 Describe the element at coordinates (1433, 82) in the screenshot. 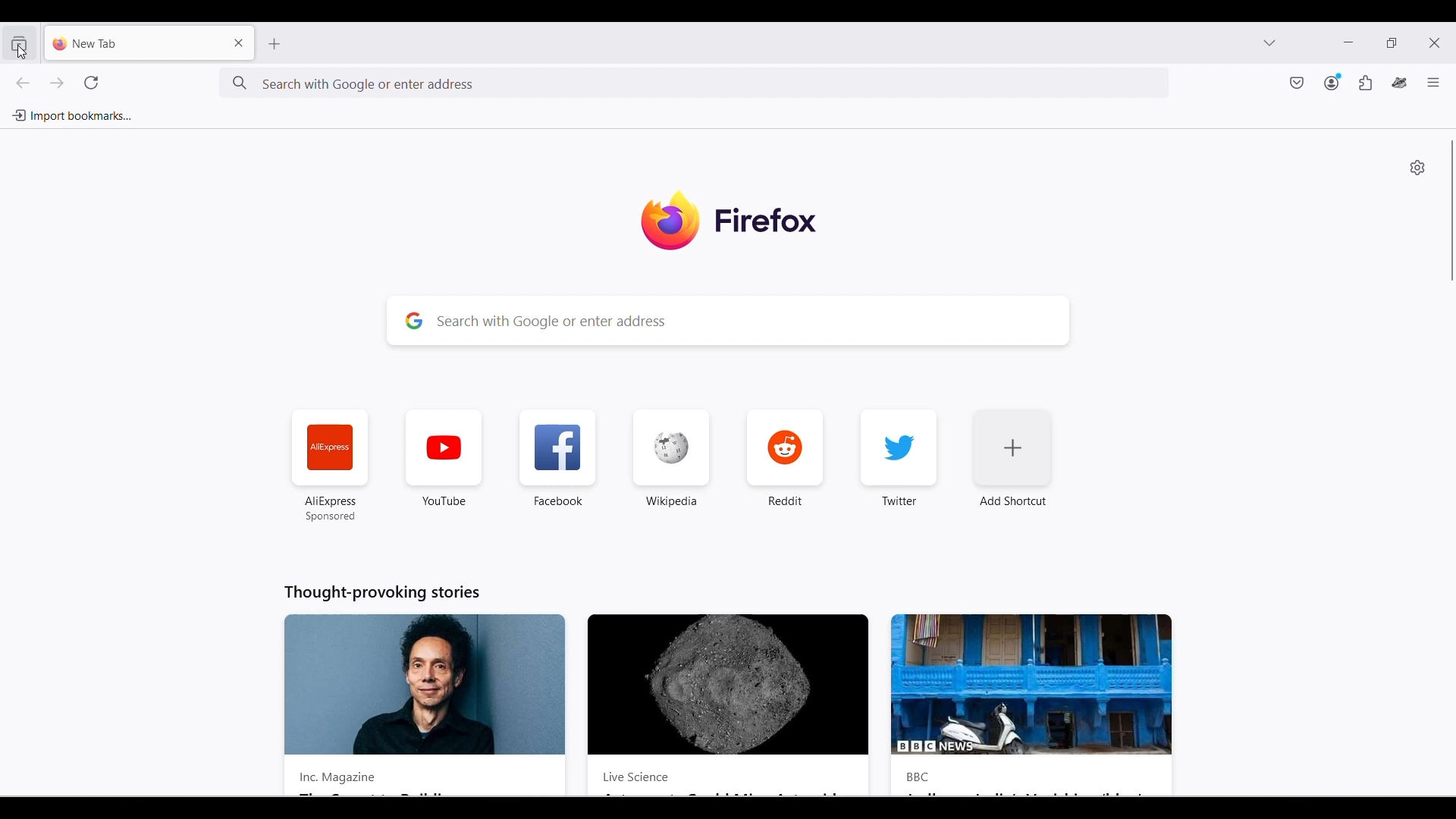

I see `Open application menu` at that location.